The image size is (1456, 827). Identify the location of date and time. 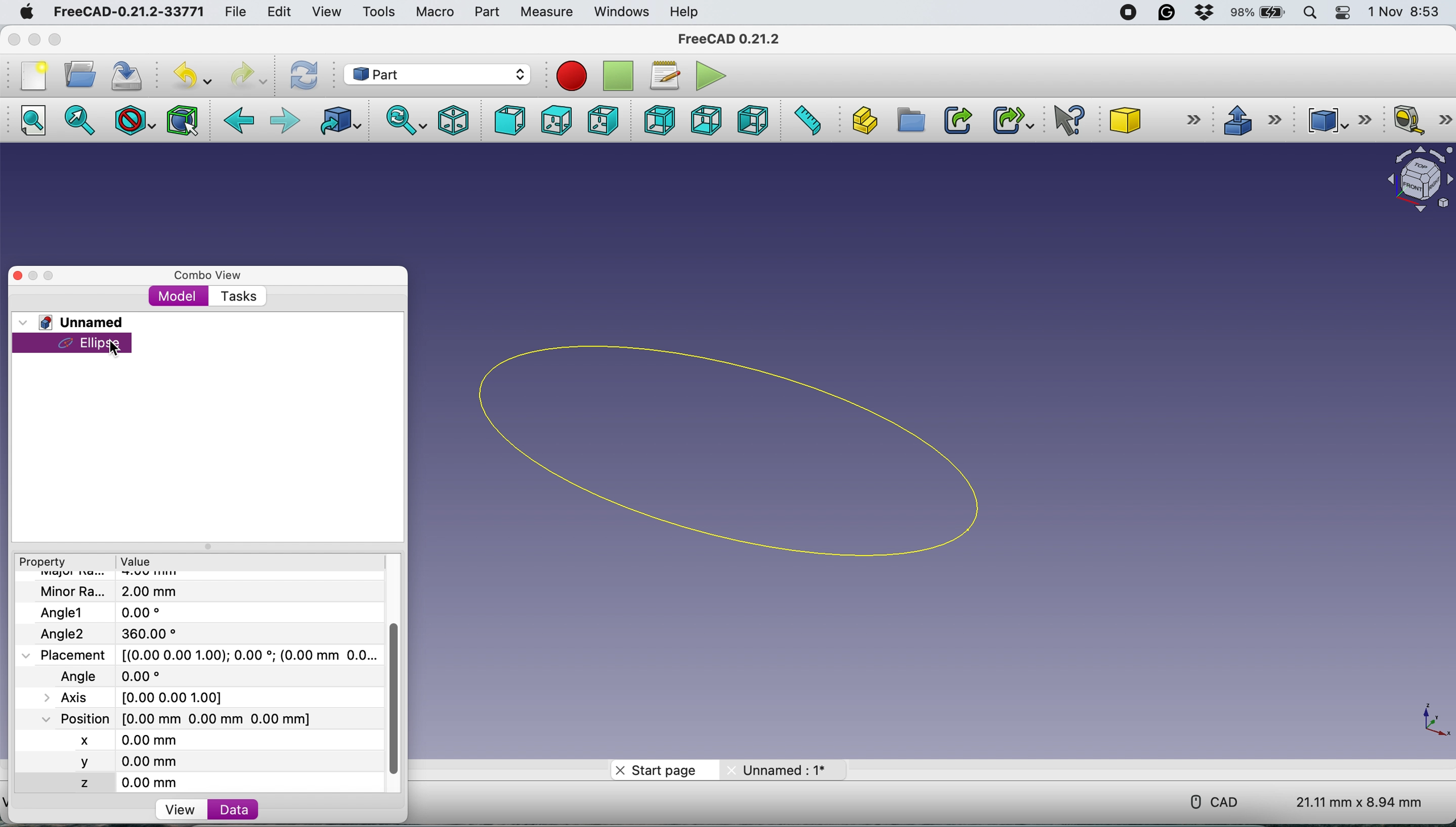
(1405, 12).